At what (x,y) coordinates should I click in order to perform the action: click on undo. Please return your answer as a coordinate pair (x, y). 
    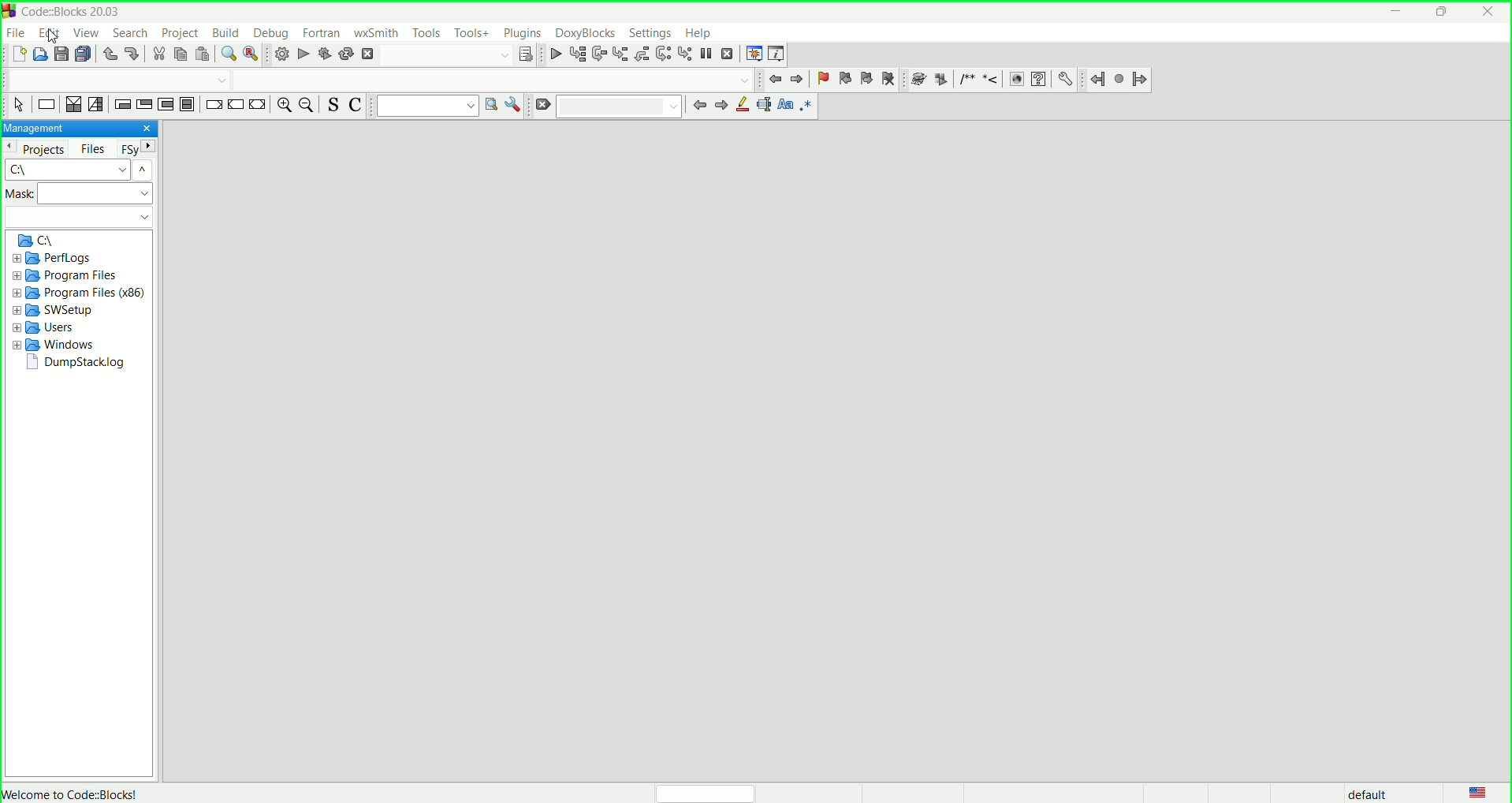
    Looking at the image, I should click on (108, 56).